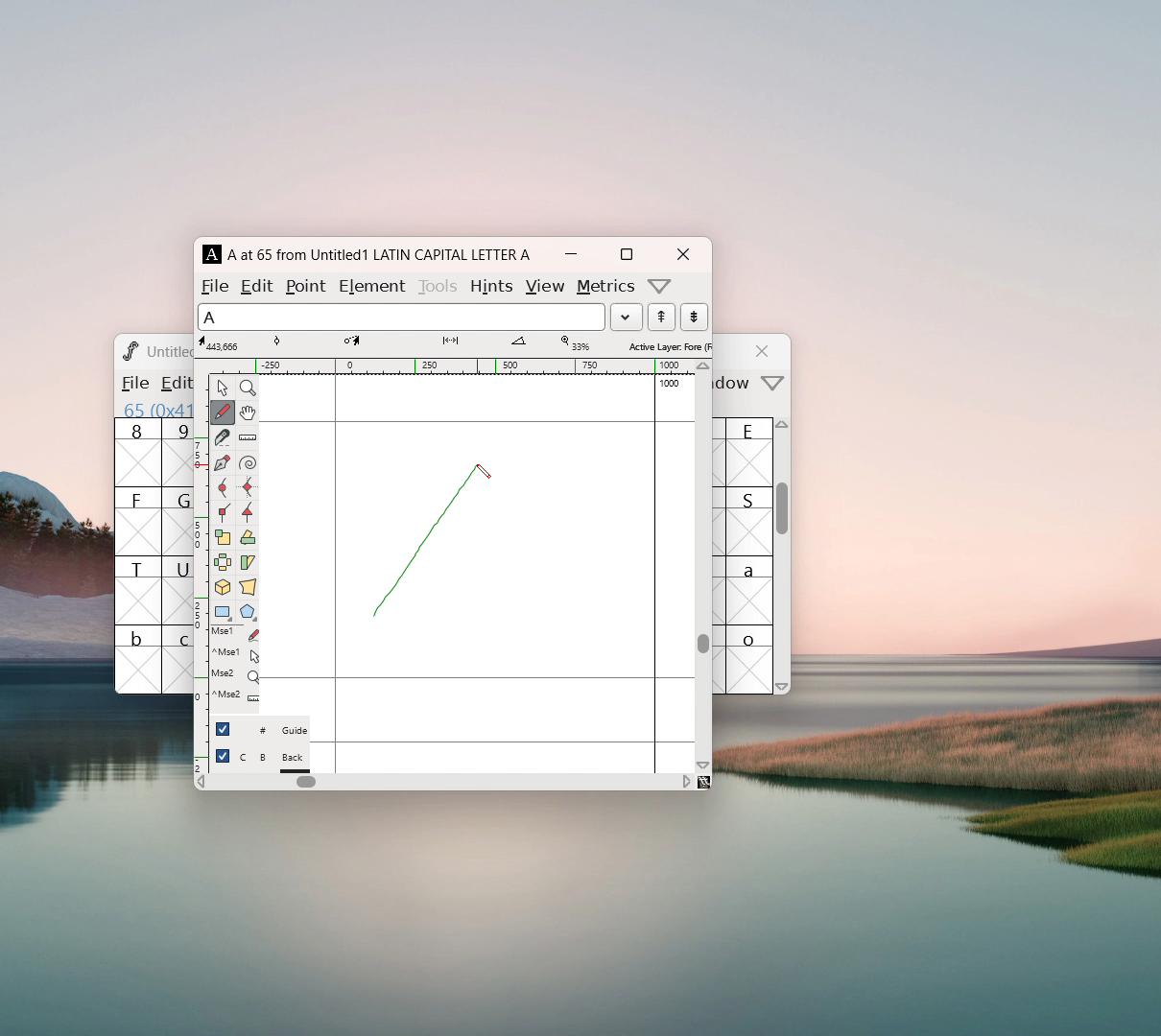 This screenshot has width=1161, height=1036. What do you see at coordinates (704, 366) in the screenshot?
I see `scroll up` at bounding box center [704, 366].